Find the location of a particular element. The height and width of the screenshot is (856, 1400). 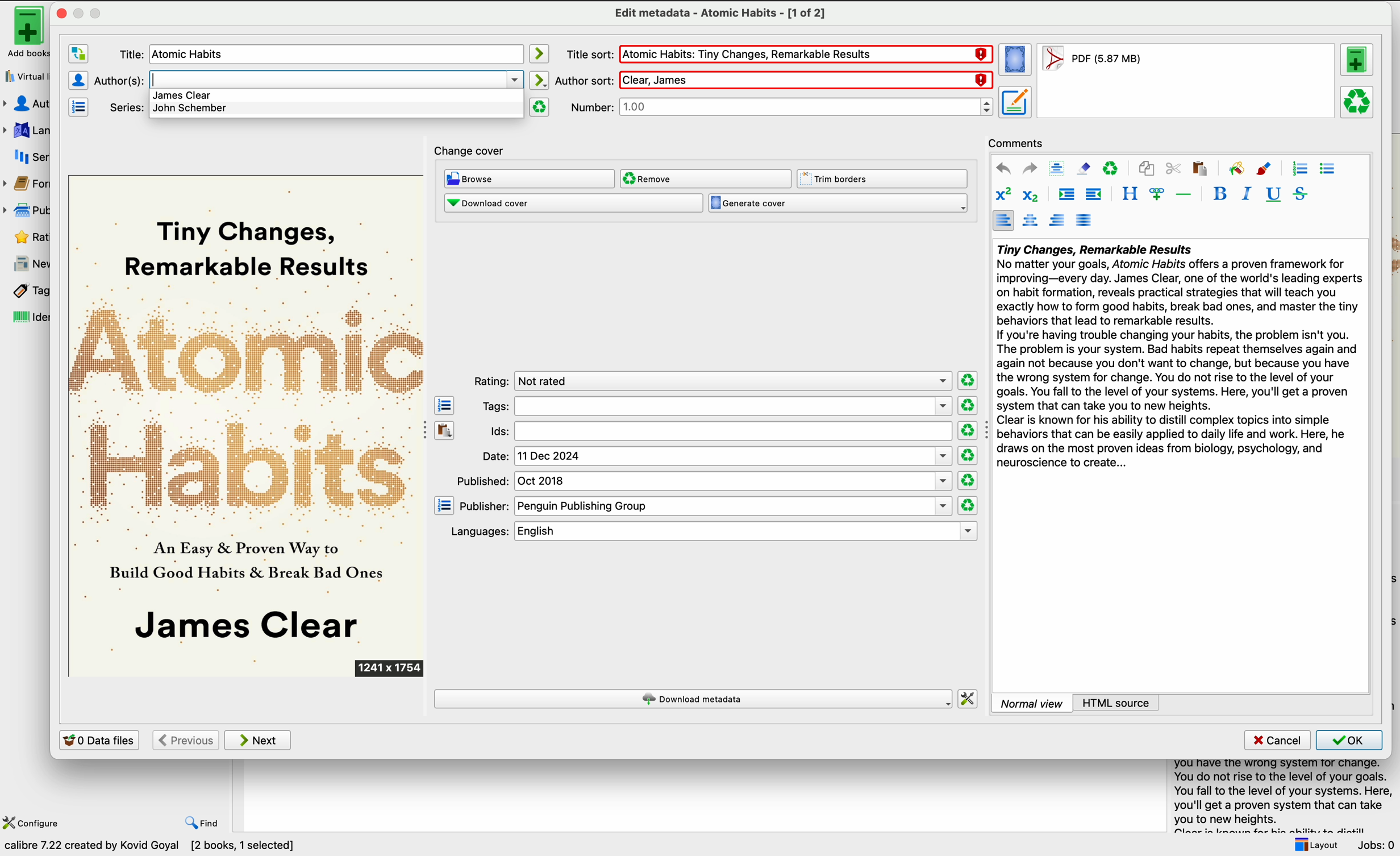

subscript is located at coordinates (1033, 195).